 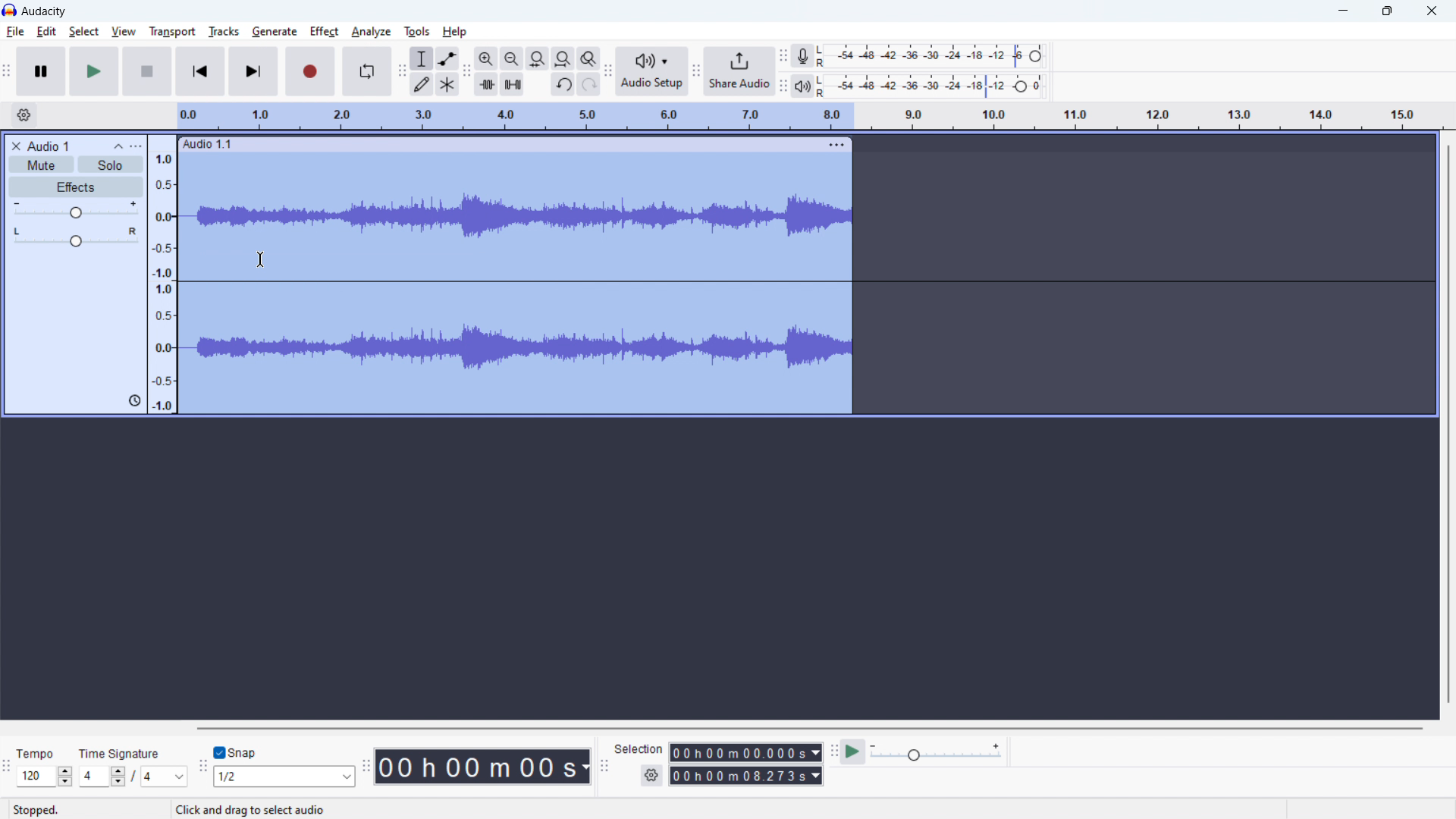 I want to click on select snapping, so click(x=284, y=776).